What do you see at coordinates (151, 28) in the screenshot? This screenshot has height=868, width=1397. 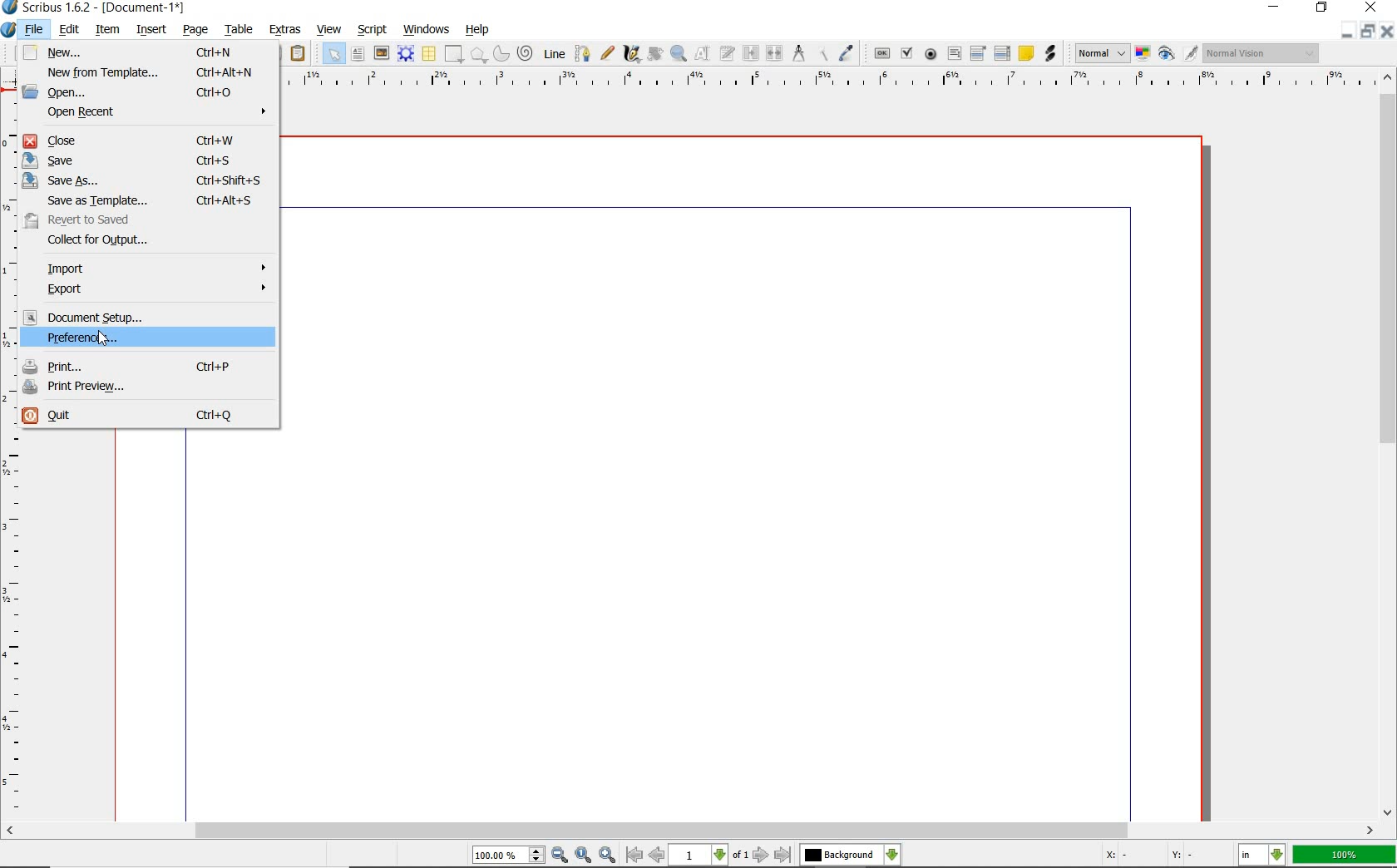 I see `insert` at bounding box center [151, 28].